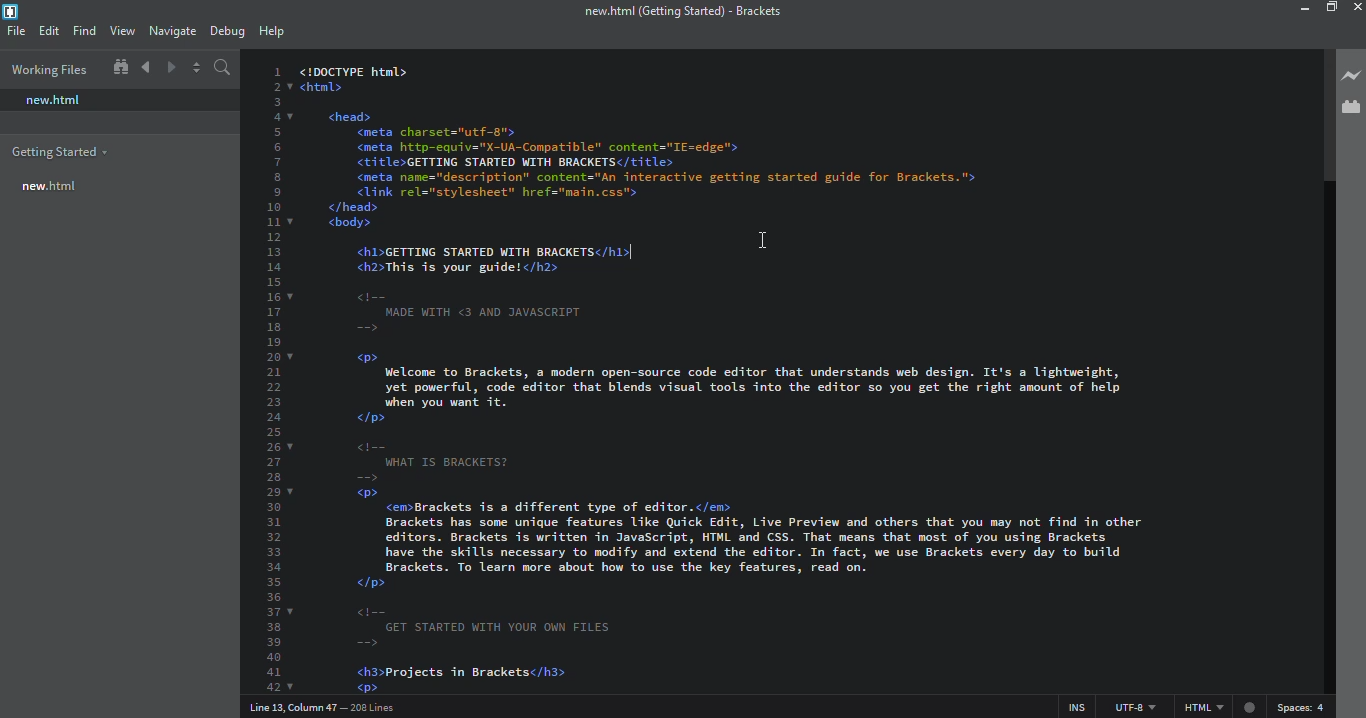 Image resolution: width=1366 pixels, height=718 pixels. What do you see at coordinates (60, 152) in the screenshot?
I see `getting started` at bounding box center [60, 152].